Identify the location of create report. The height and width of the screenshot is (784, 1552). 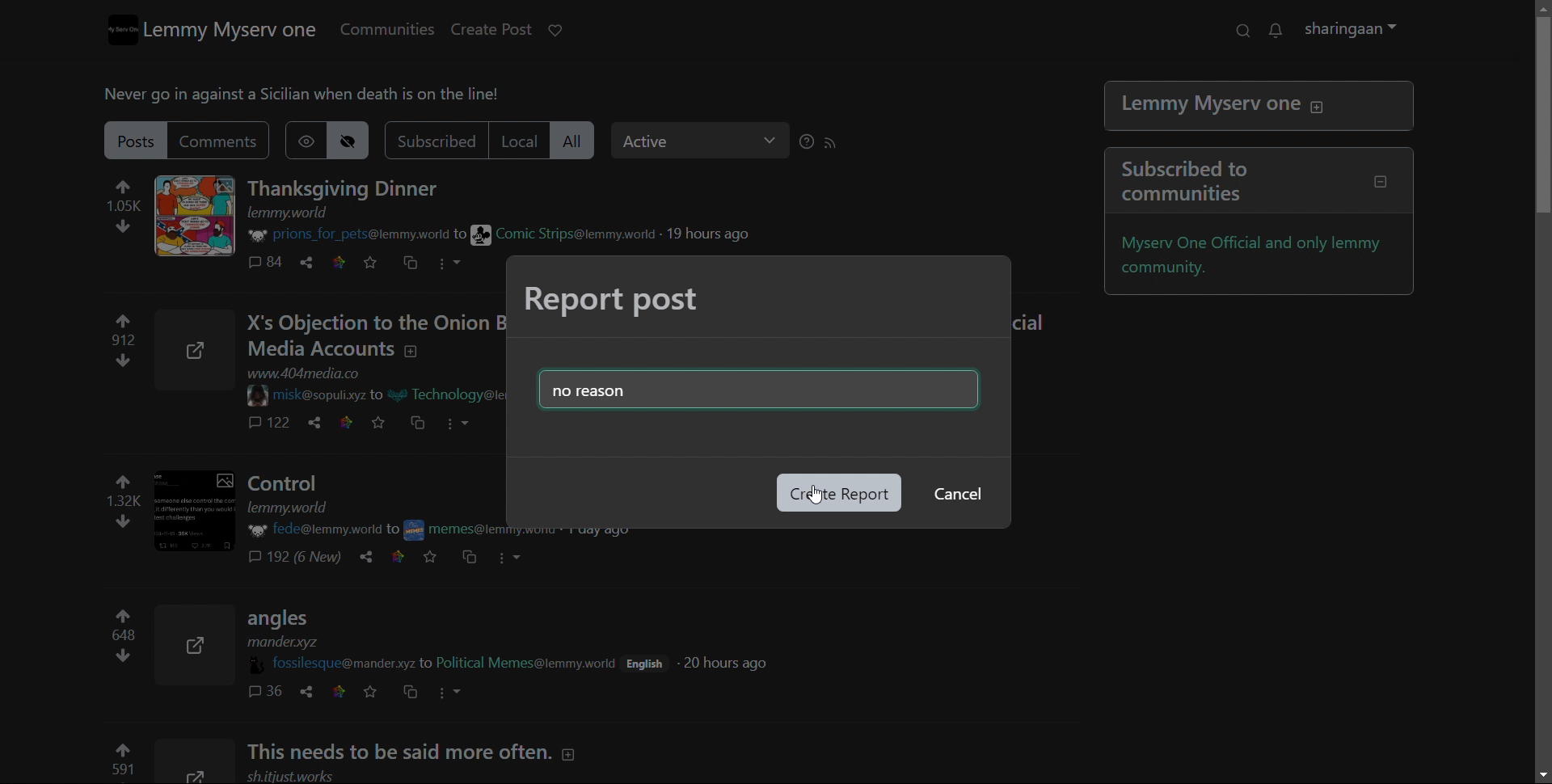
(838, 493).